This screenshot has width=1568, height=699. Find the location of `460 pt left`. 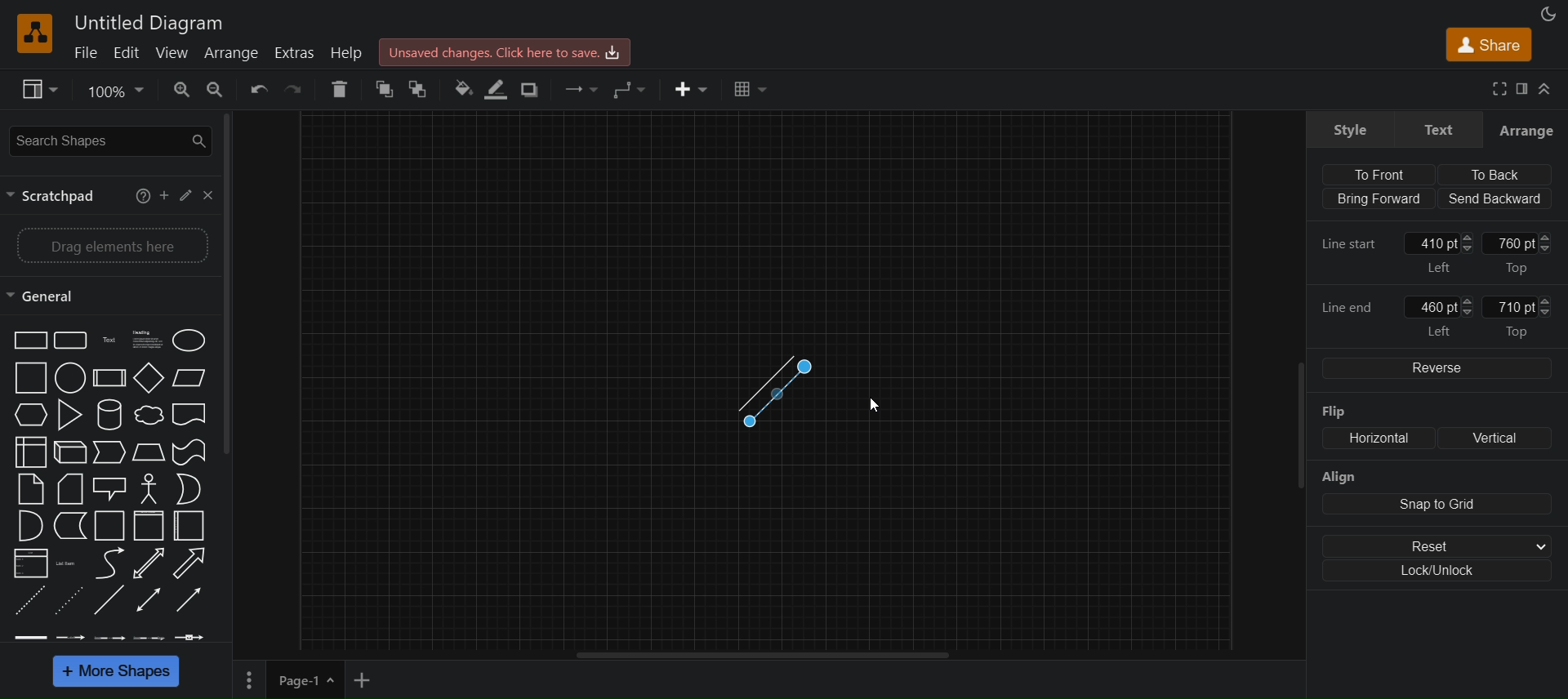

460 pt left is located at coordinates (1441, 315).